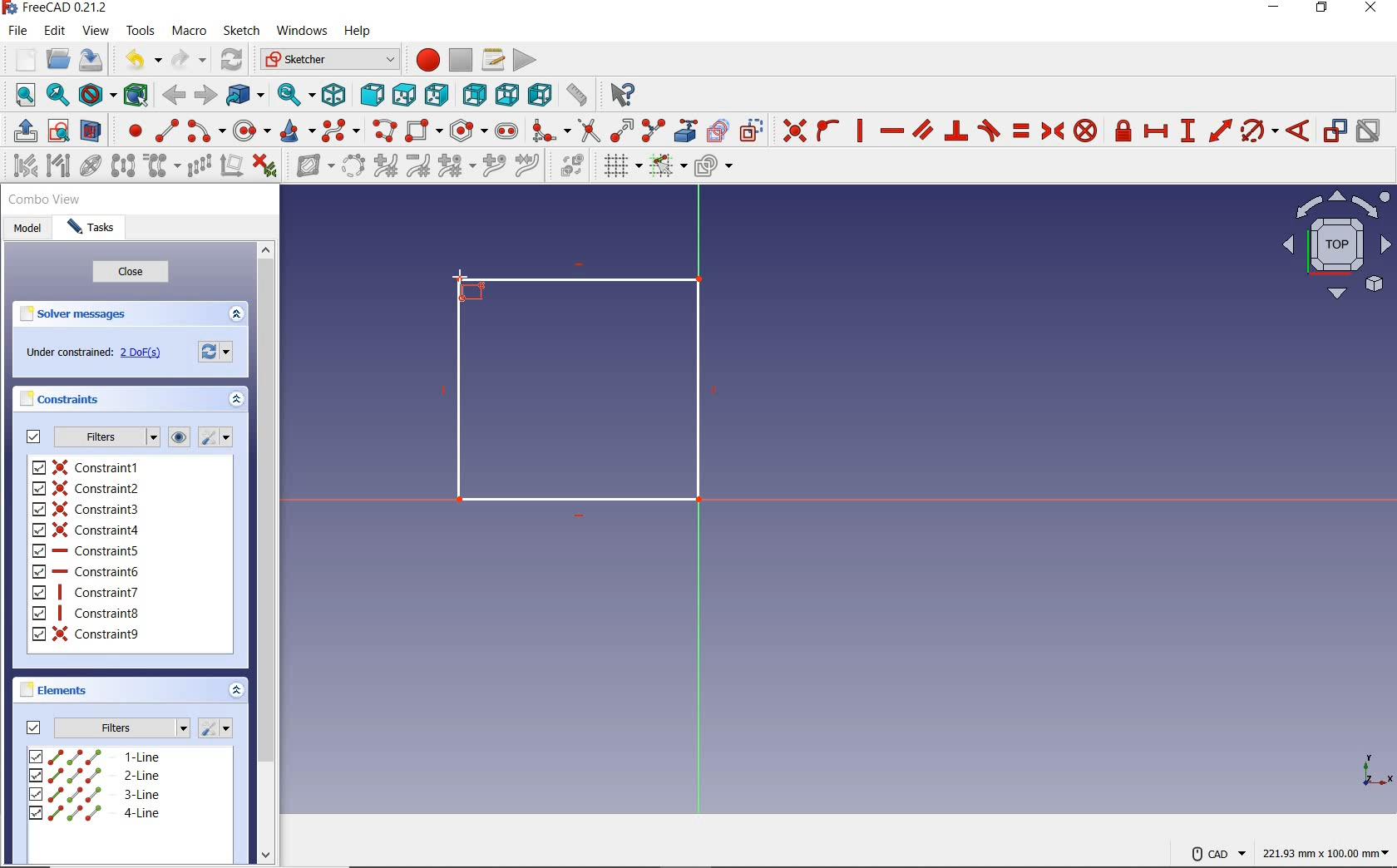  Describe the element at coordinates (101, 315) in the screenshot. I see `solver messages` at that location.